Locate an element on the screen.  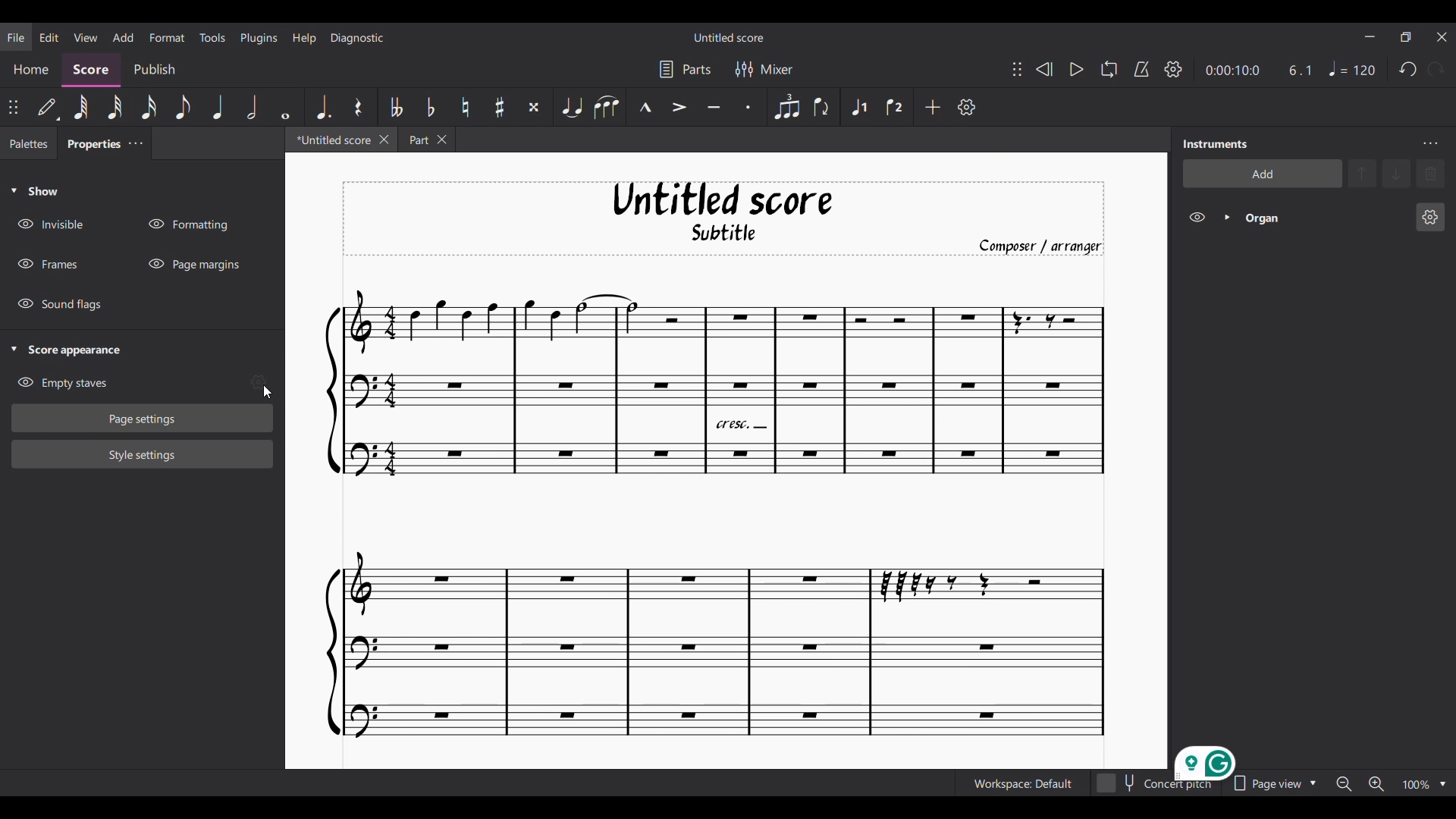
Customize toolbar is located at coordinates (967, 107).